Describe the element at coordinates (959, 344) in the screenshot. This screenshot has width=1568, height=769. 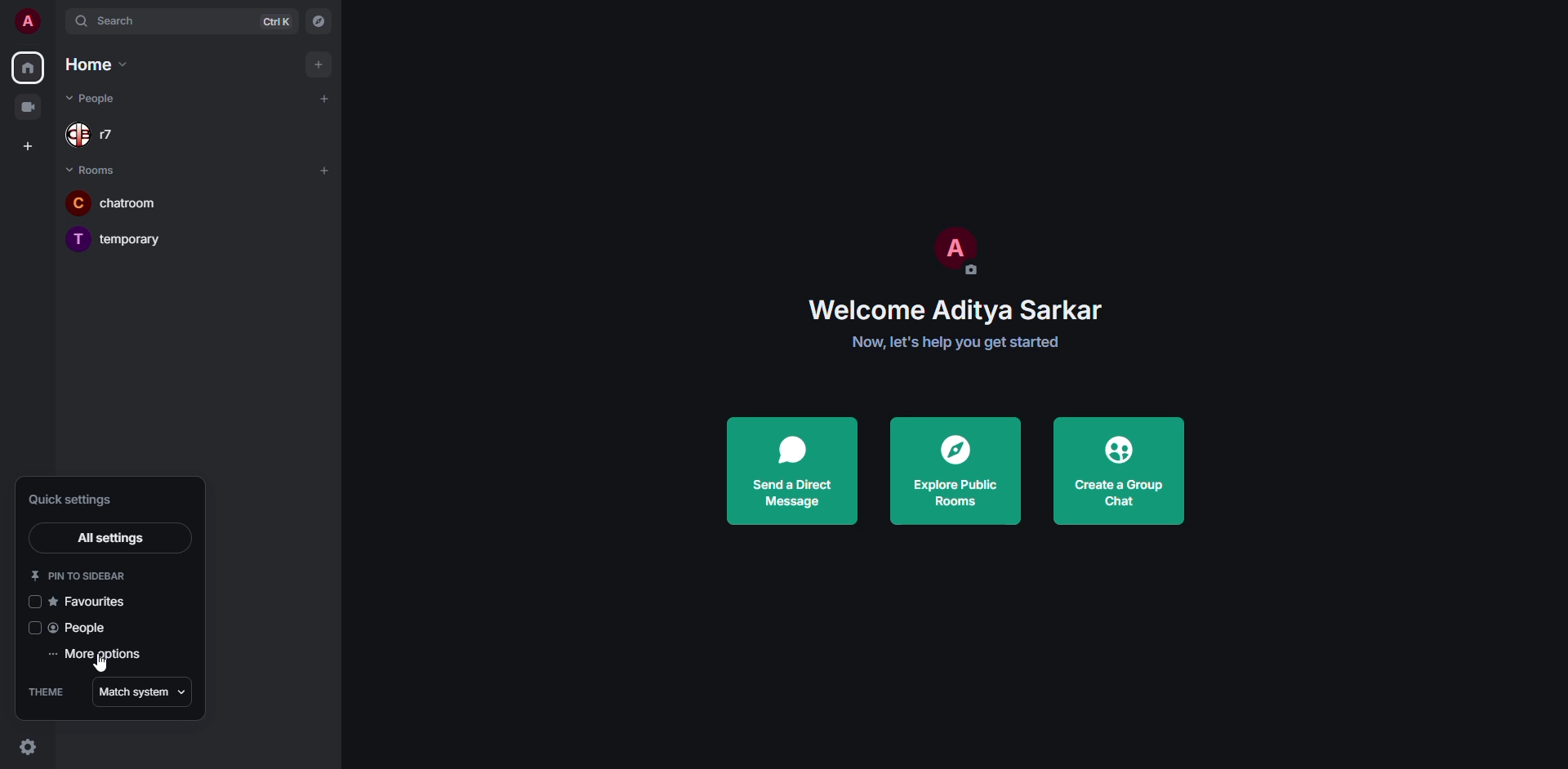
I see `get started` at that location.